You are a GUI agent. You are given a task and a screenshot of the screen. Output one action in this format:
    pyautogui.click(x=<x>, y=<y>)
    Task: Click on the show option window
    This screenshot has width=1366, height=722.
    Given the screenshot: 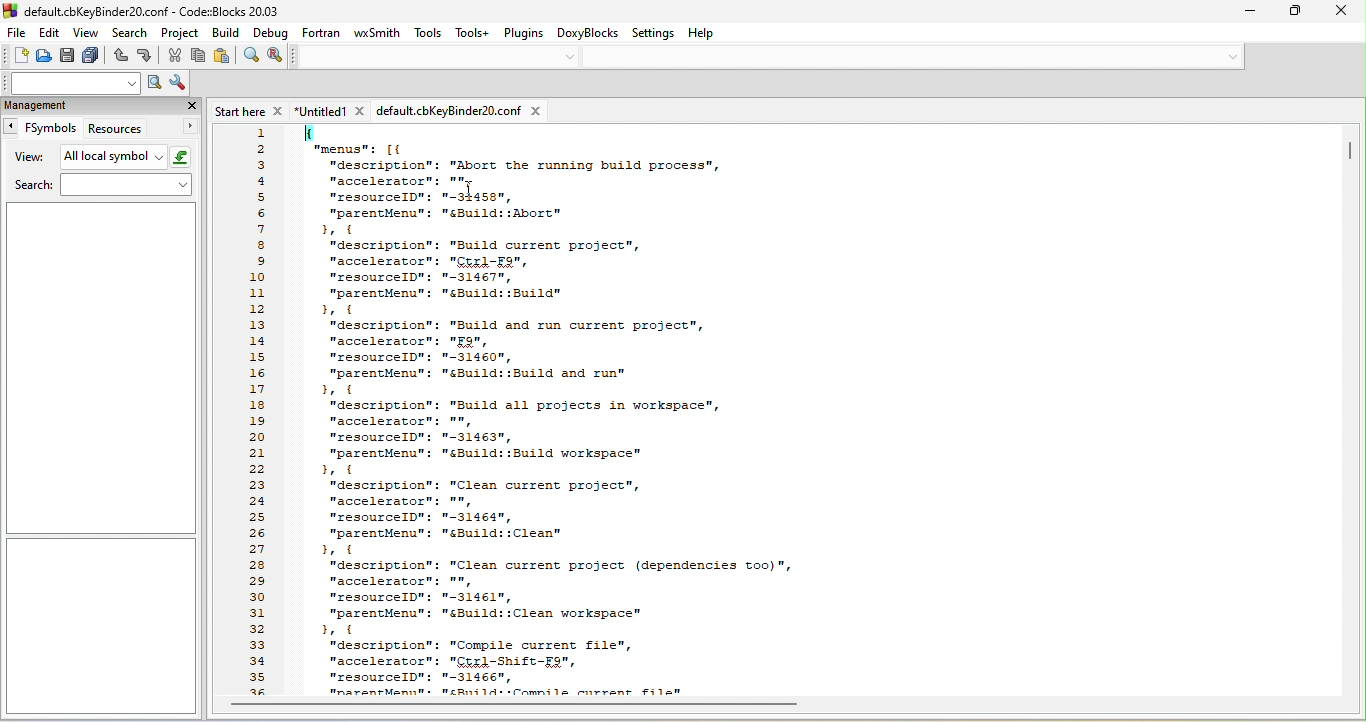 What is the action you would take?
    pyautogui.click(x=178, y=84)
    